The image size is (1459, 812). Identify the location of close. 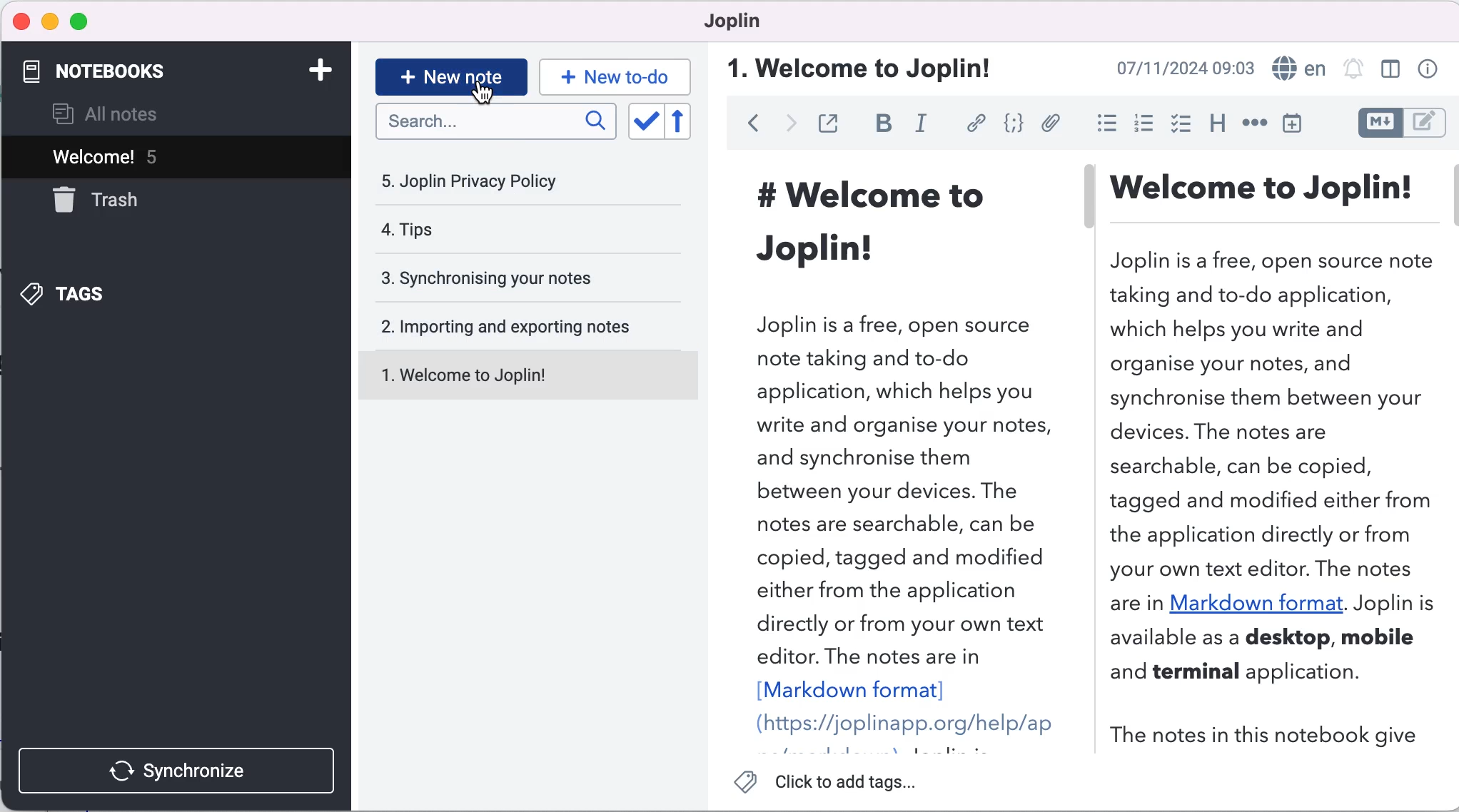
(20, 21).